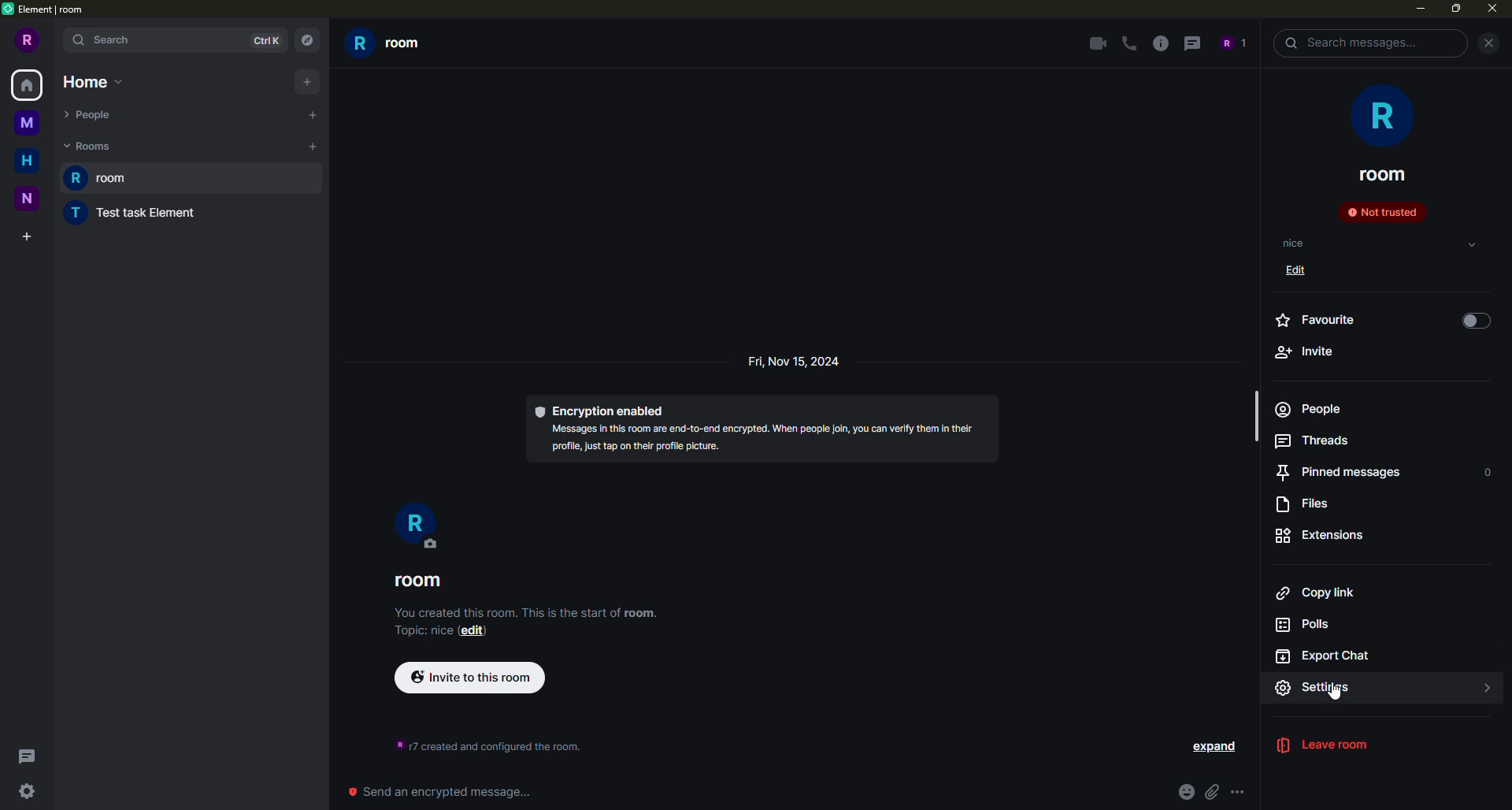  I want to click on All rooms, so click(27, 86).